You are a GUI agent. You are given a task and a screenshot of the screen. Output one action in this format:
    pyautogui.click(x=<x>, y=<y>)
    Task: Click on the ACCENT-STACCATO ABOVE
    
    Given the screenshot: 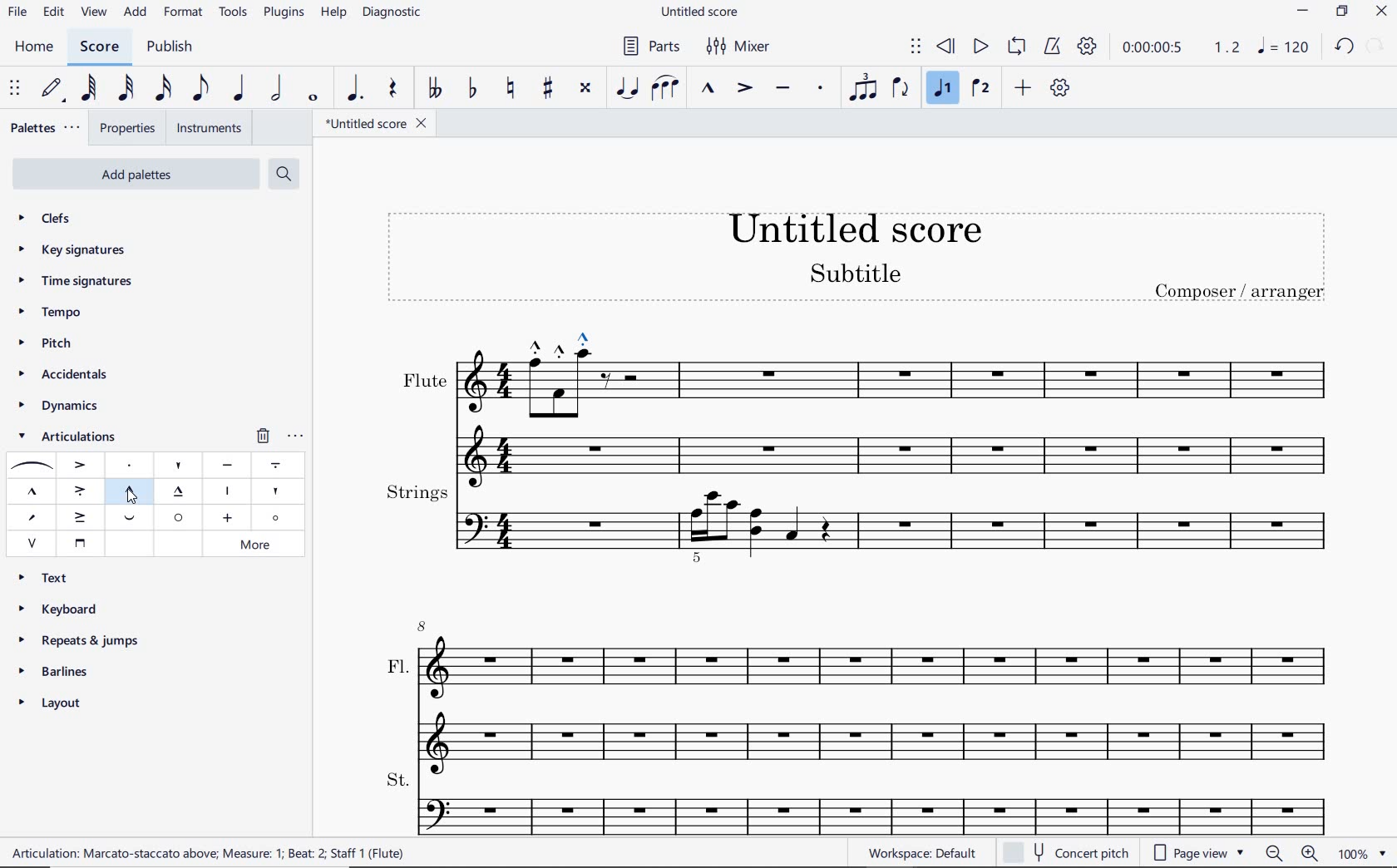 What is the action you would take?
    pyautogui.click(x=80, y=490)
    